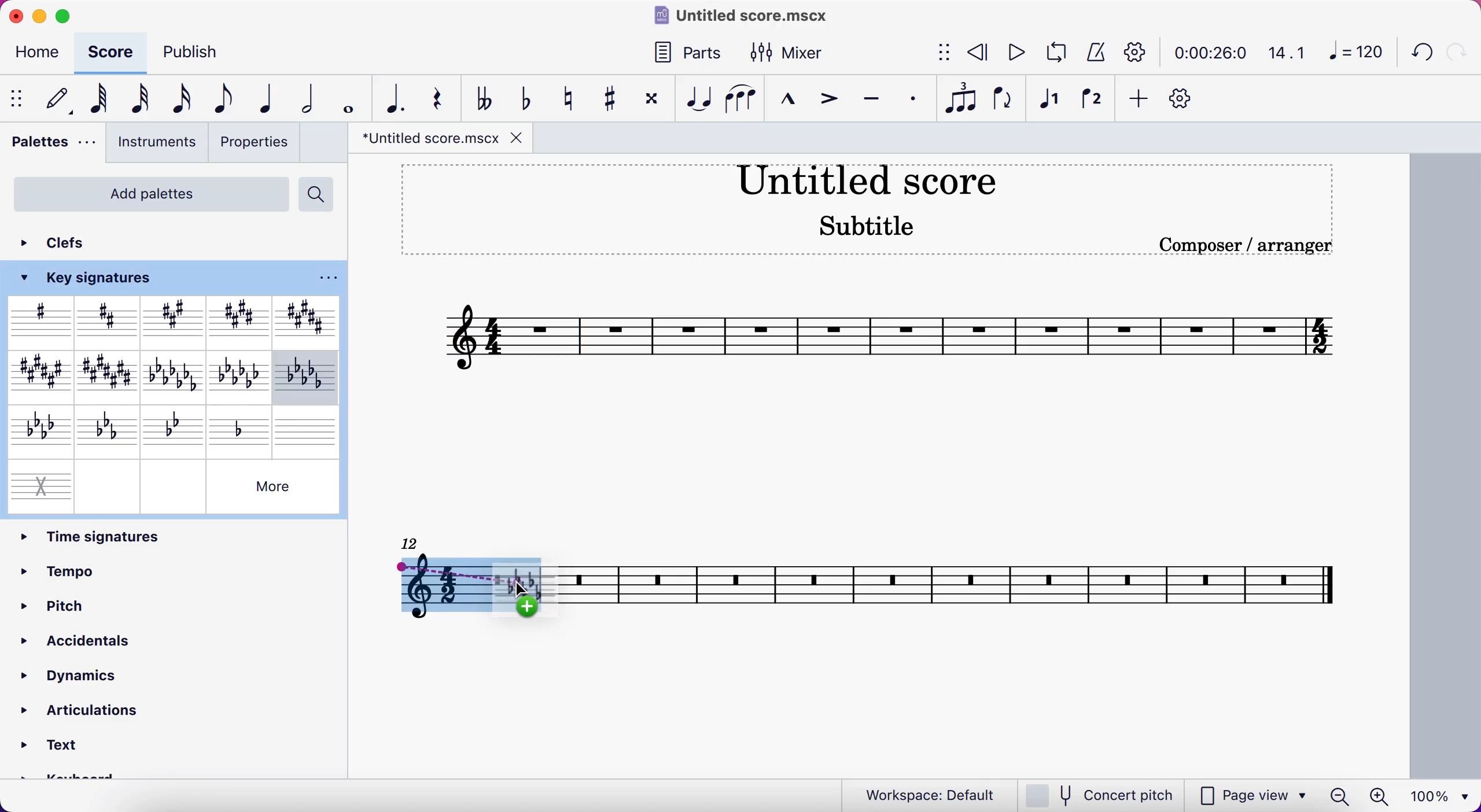 The height and width of the screenshot is (812, 1481). What do you see at coordinates (311, 96) in the screenshot?
I see `half note` at bounding box center [311, 96].